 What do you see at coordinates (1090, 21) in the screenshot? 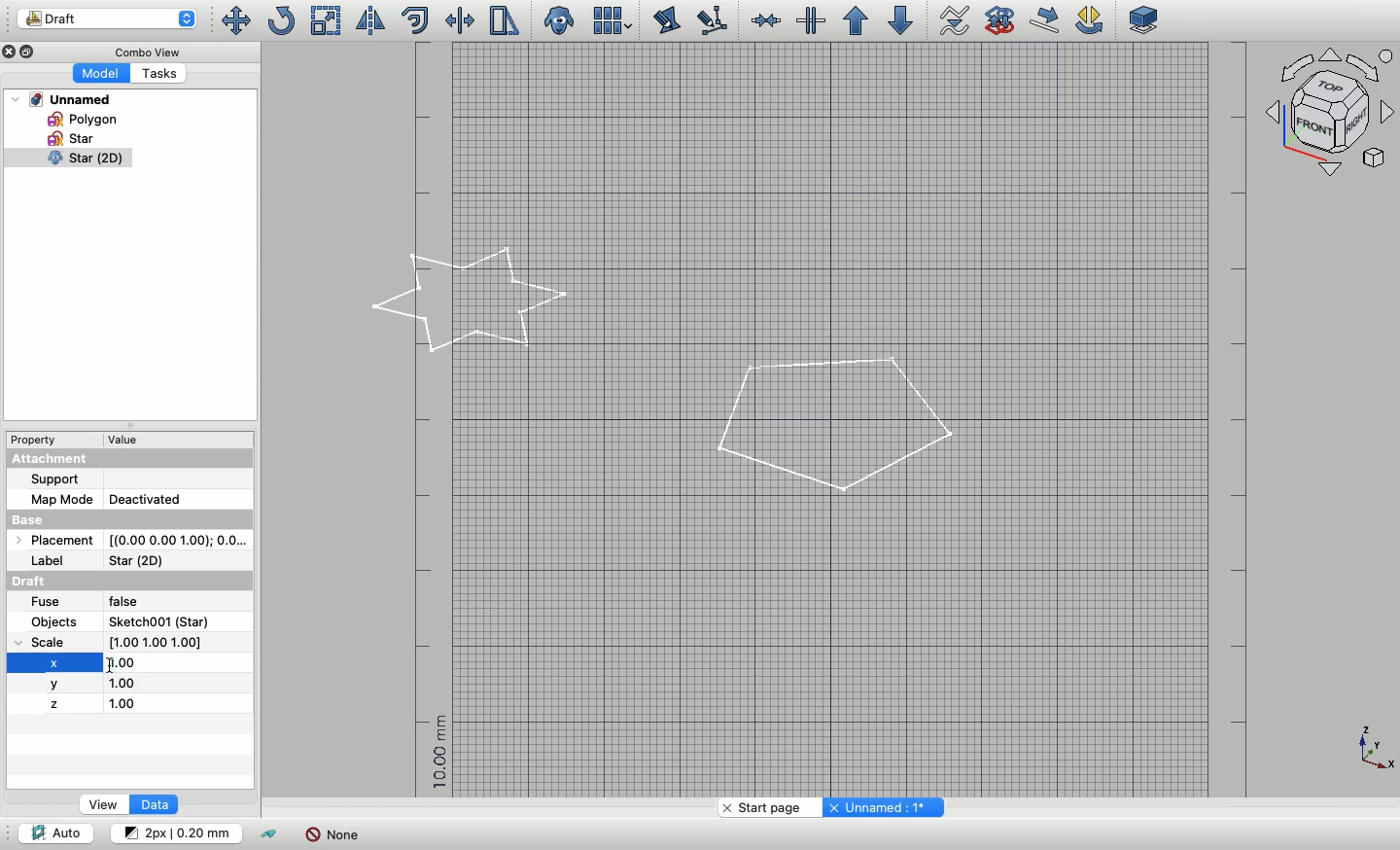
I see `Draft rotate` at bounding box center [1090, 21].